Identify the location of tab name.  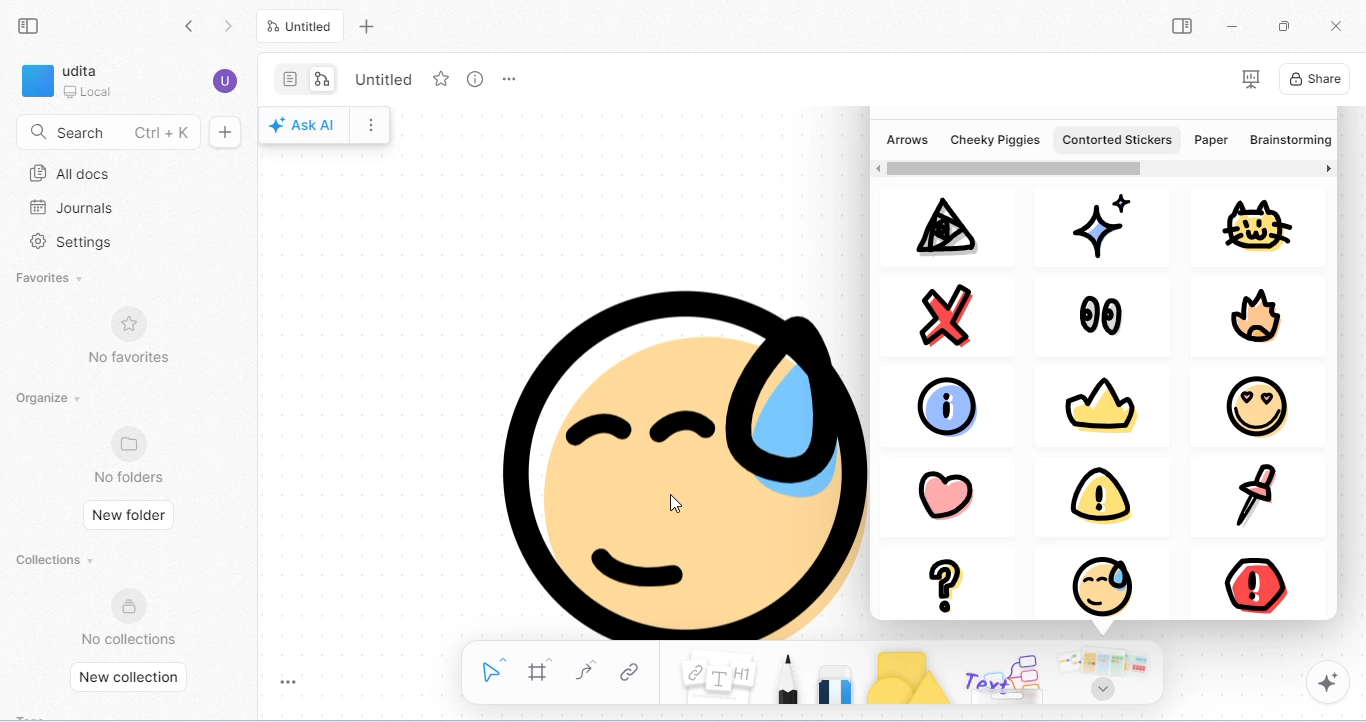
(381, 78).